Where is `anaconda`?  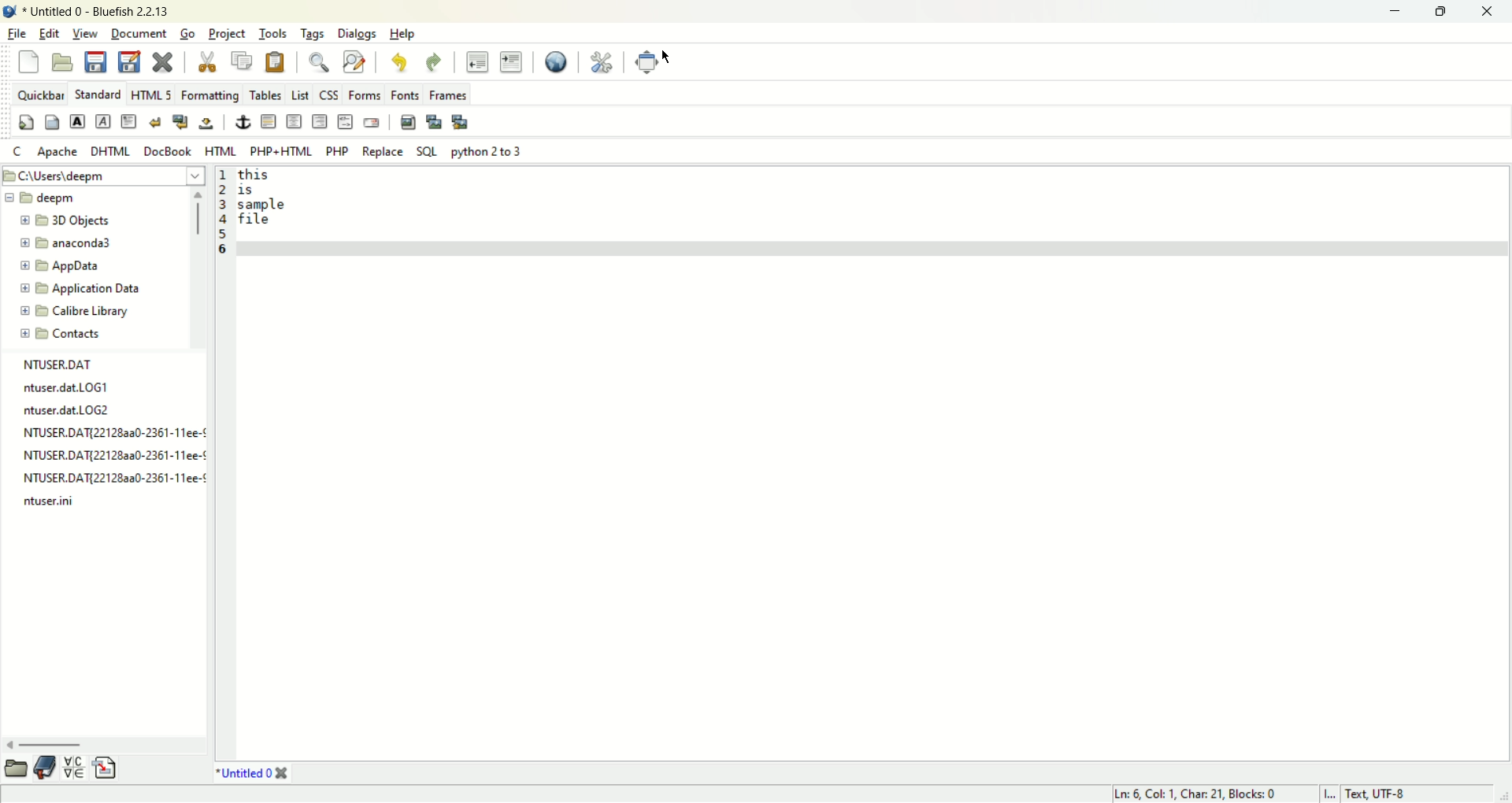
anaconda is located at coordinates (72, 242).